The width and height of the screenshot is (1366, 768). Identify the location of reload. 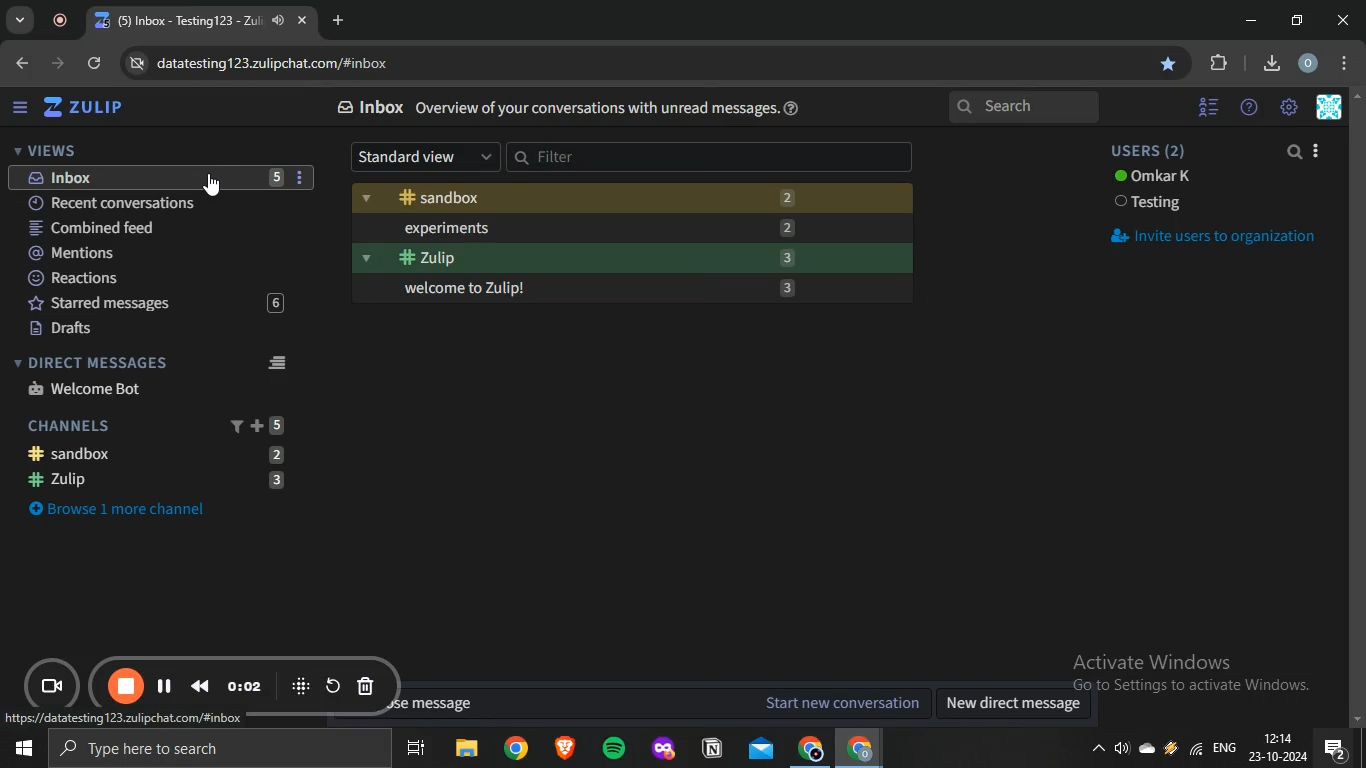
(333, 685).